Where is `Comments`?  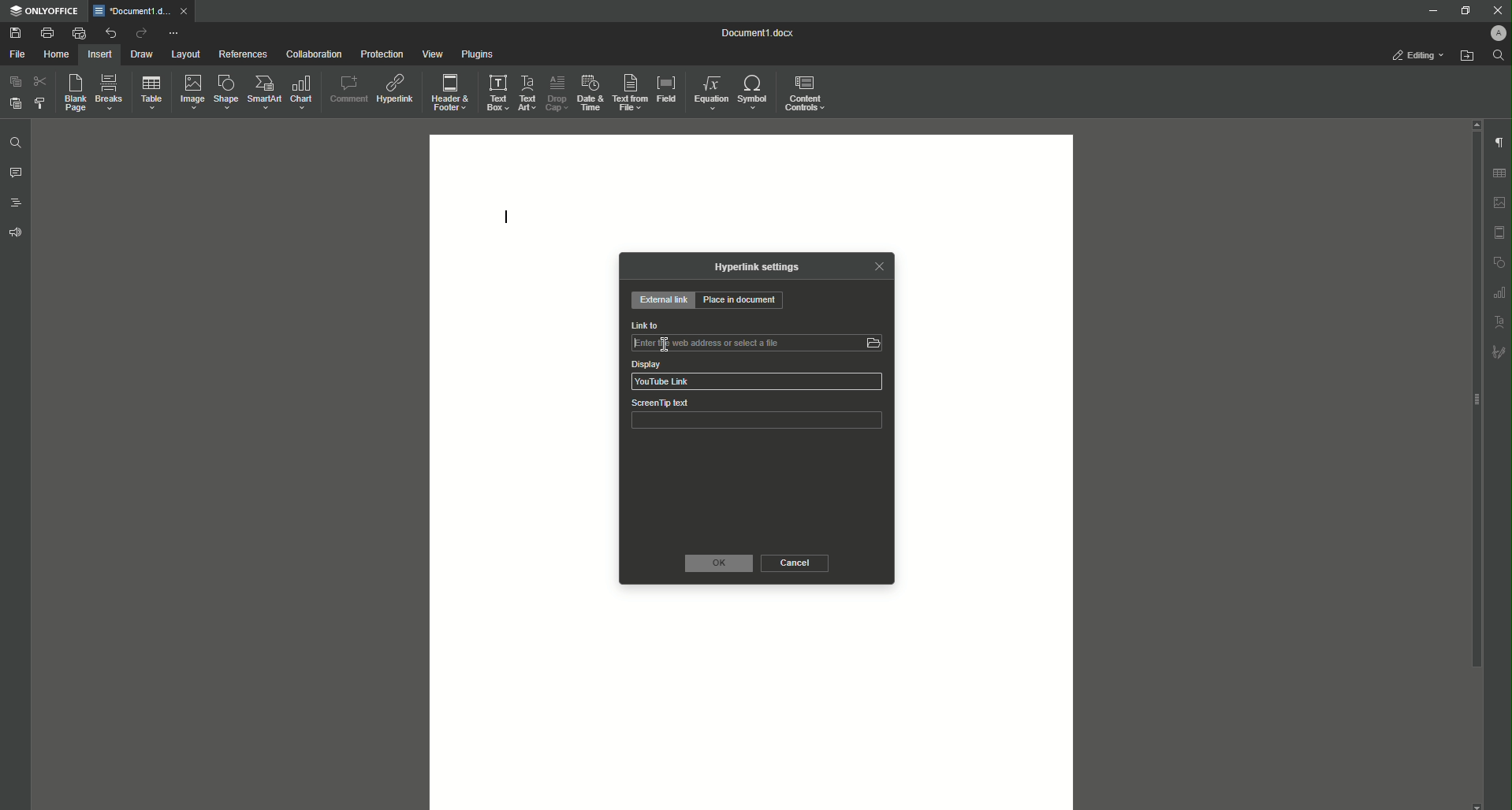
Comments is located at coordinates (16, 173).